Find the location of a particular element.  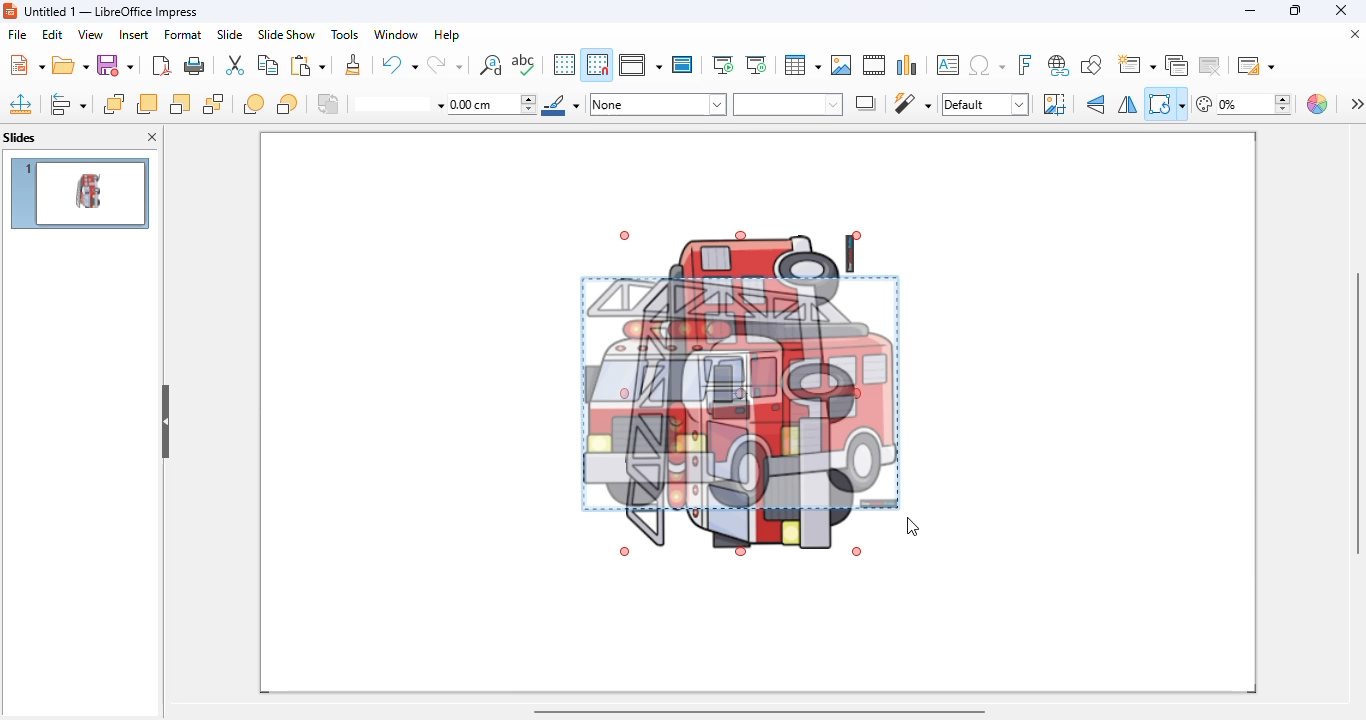

display grid is located at coordinates (564, 65).